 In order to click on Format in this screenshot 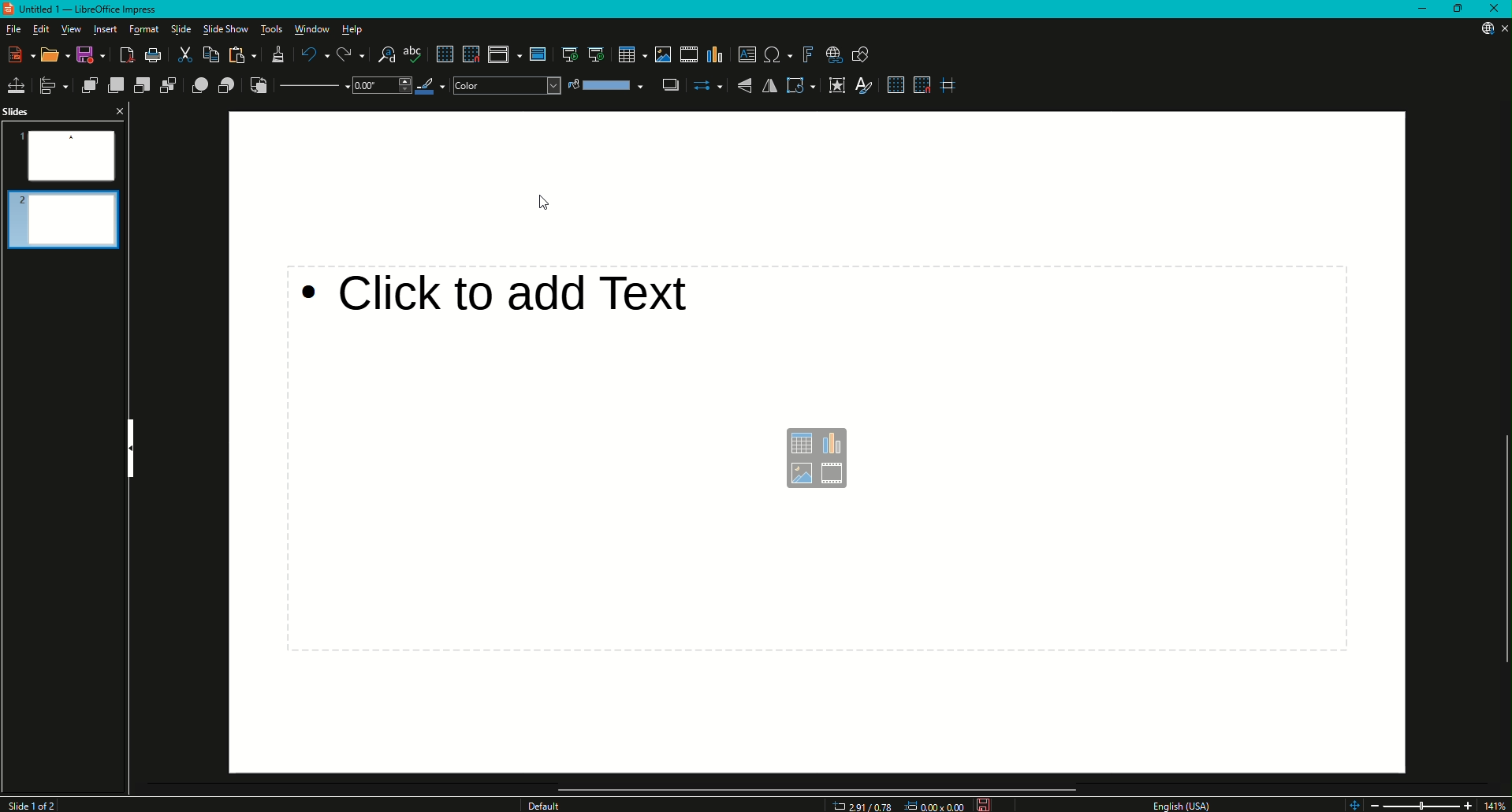, I will do `click(143, 29)`.